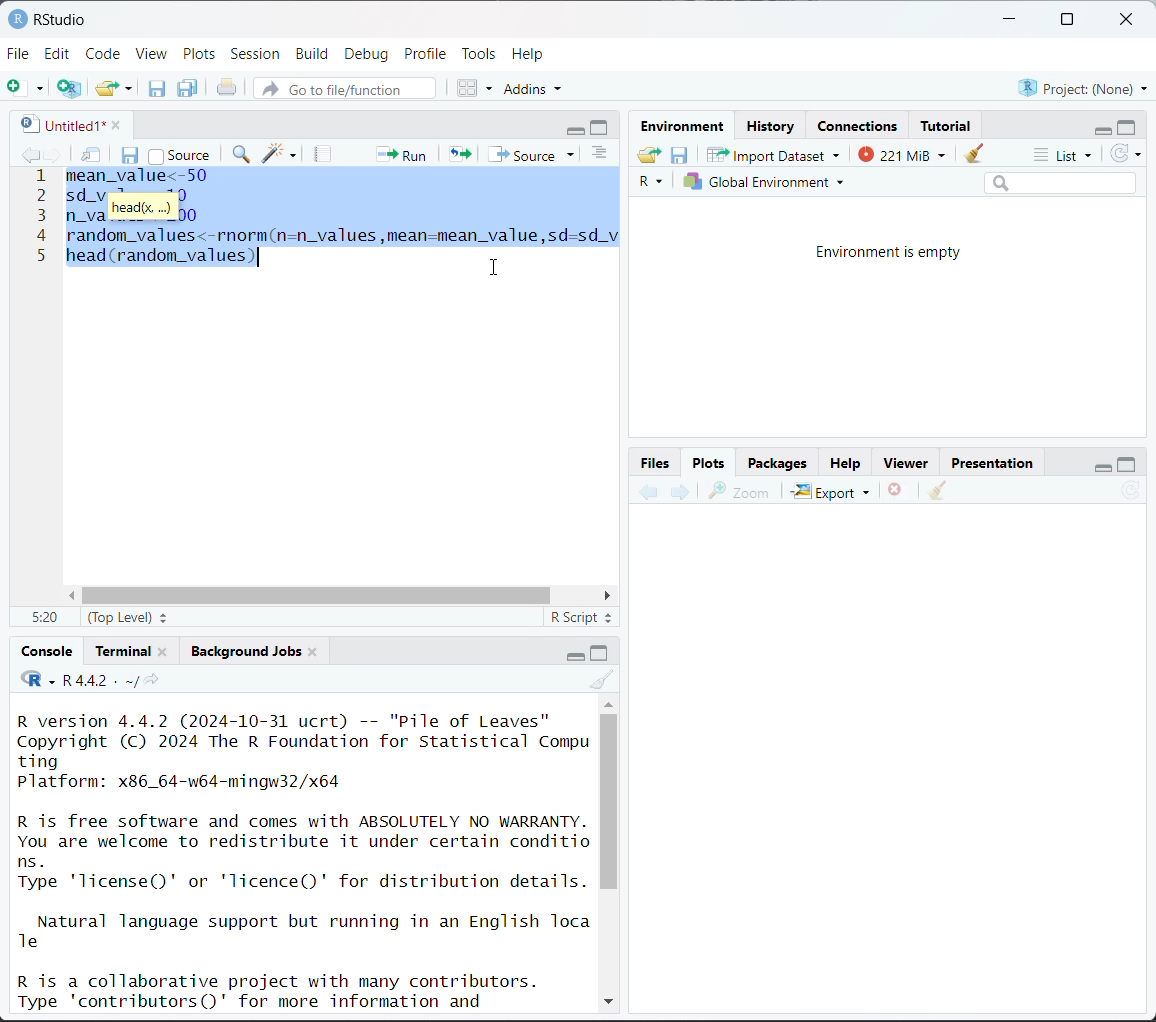 The height and width of the screenshot is (1022, 1156). I want to click on show document outline, so click(603, 155).